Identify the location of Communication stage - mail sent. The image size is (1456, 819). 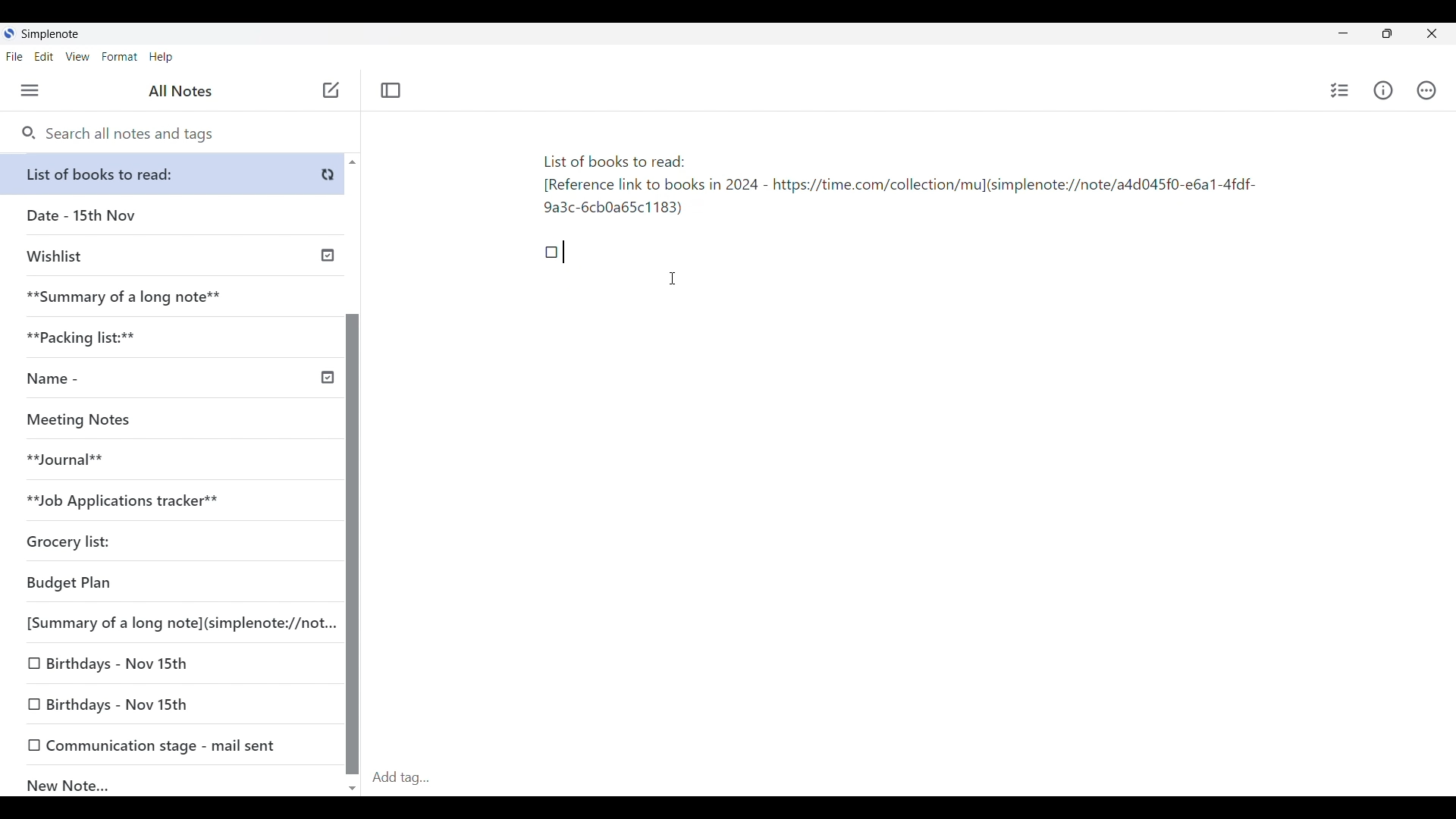
(173, 745).